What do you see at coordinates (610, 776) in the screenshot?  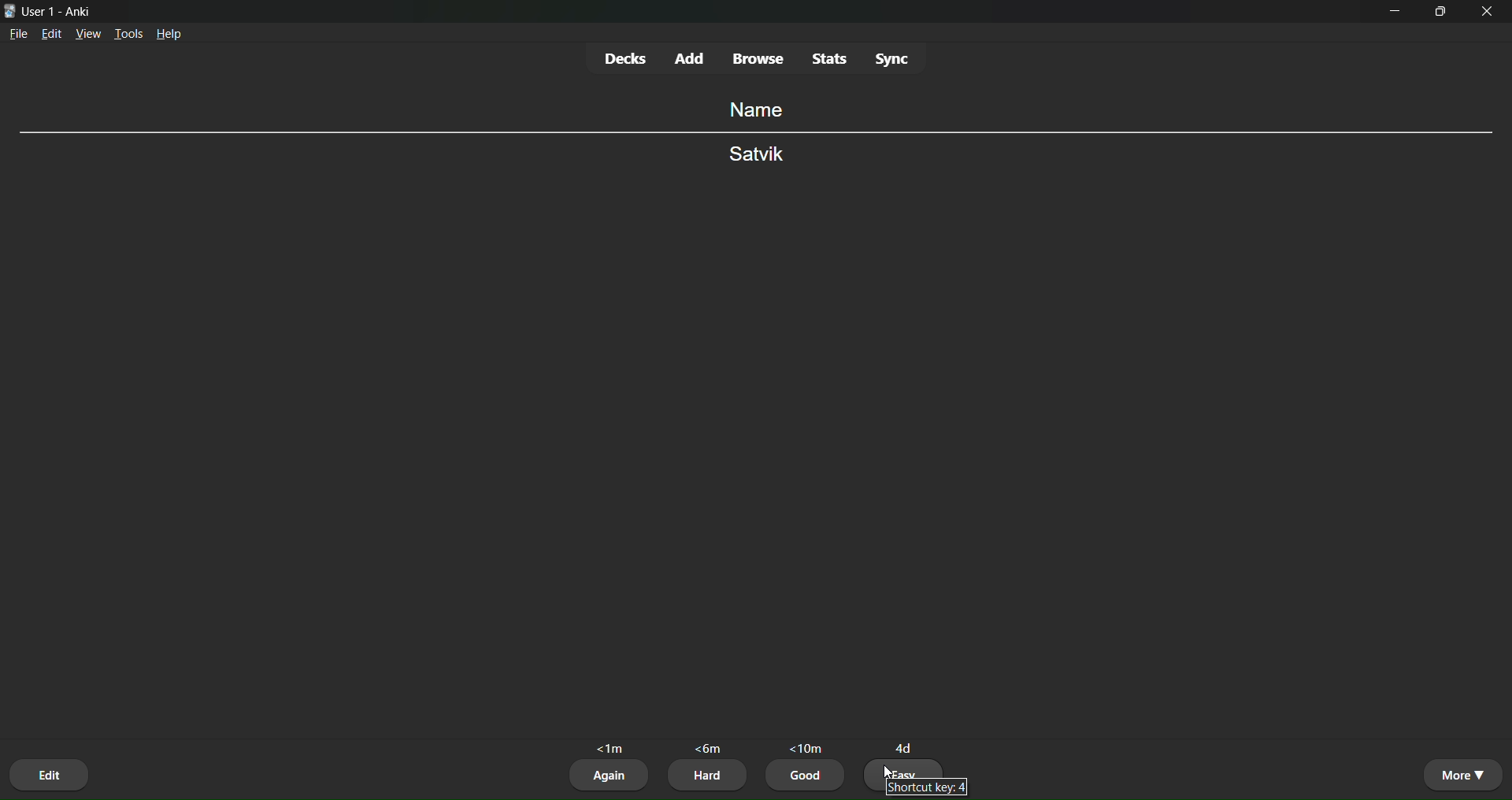 I see `again` at bounding box center [610, 776].